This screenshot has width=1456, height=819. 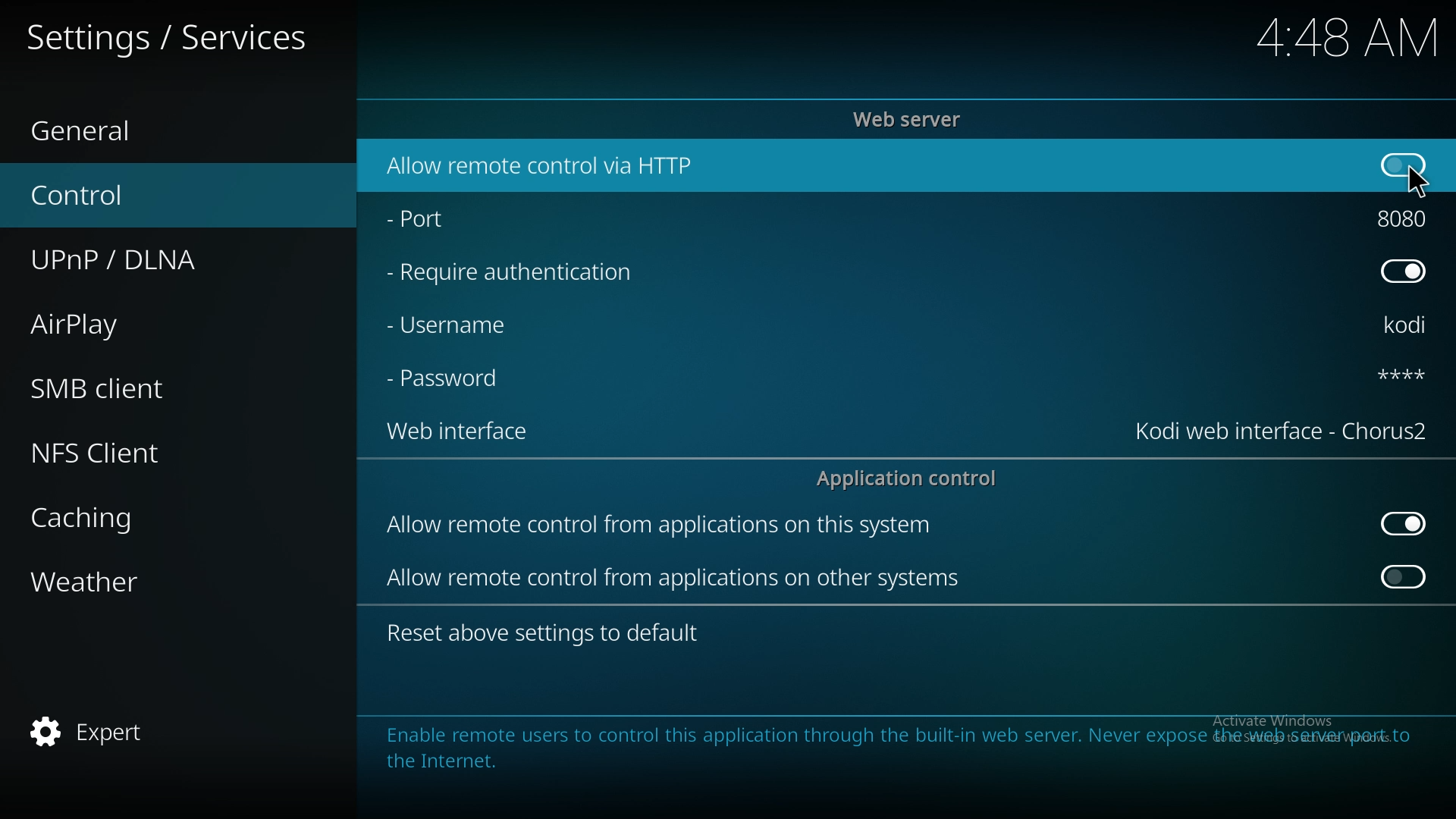 What do you see at coordinates (1406, 167) in the screenshot?
I see `on` at bounding box center [1406, 167].